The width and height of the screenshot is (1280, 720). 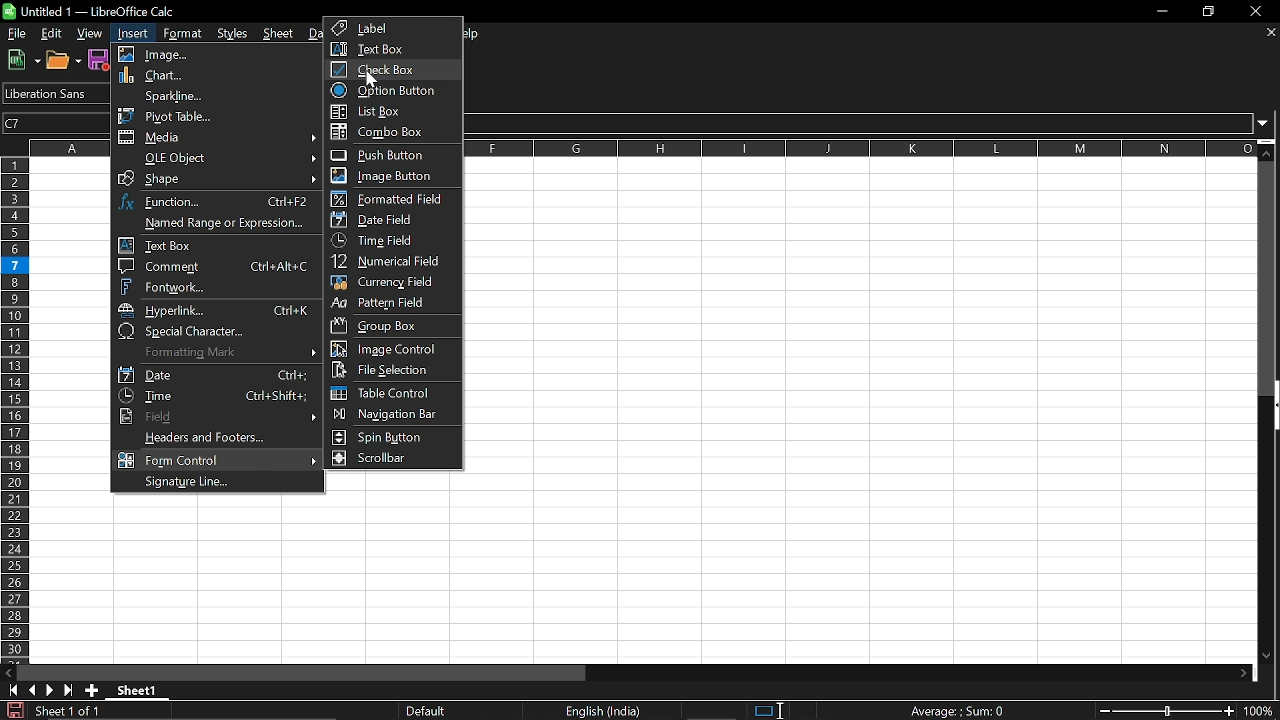 What do you see at coordinates (212, 95) in the screenshot?
I see `Sparkline` at bounding box center [212, 95].